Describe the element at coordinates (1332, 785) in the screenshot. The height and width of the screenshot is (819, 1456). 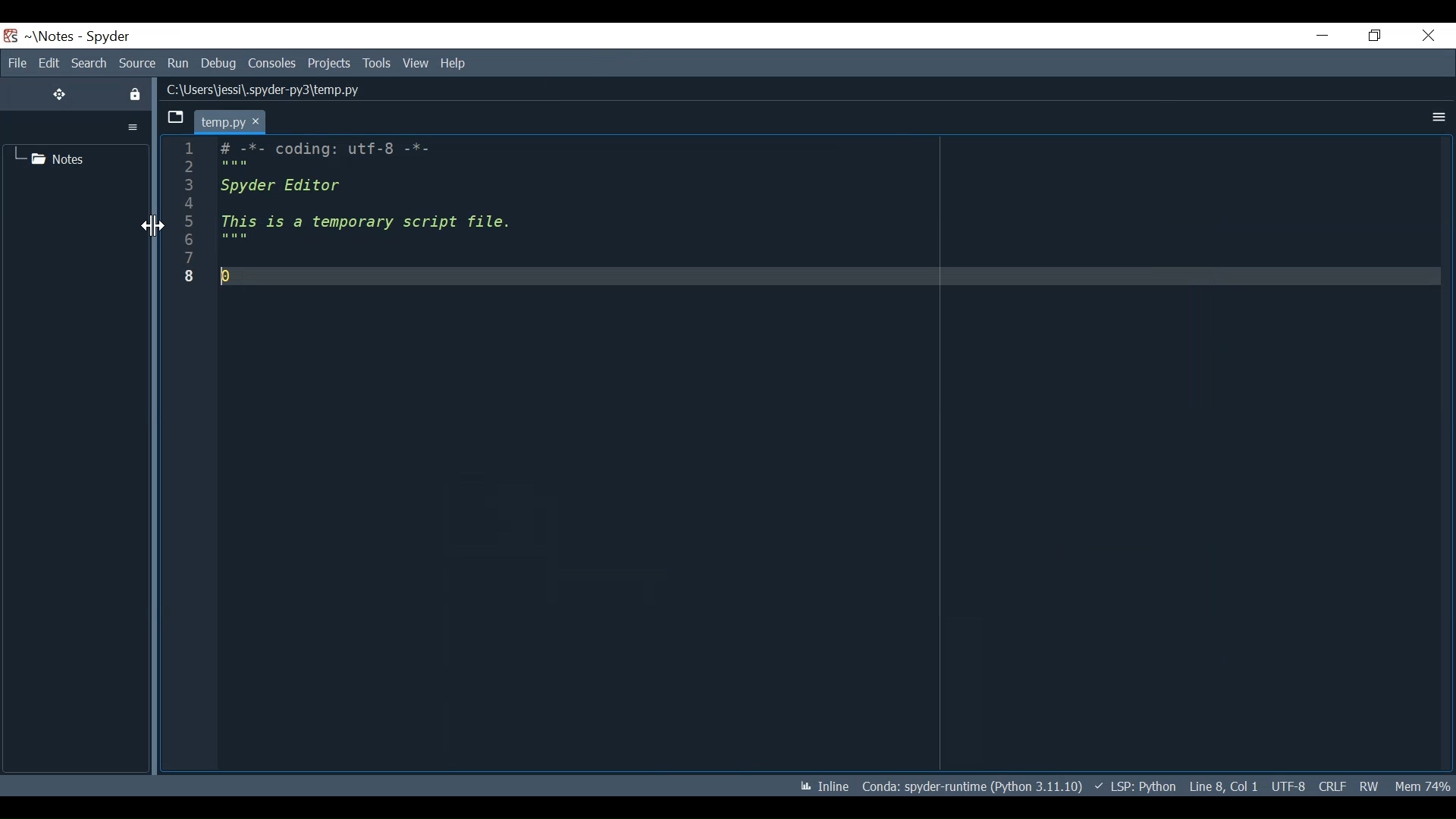
I see `CRLF` at that location.